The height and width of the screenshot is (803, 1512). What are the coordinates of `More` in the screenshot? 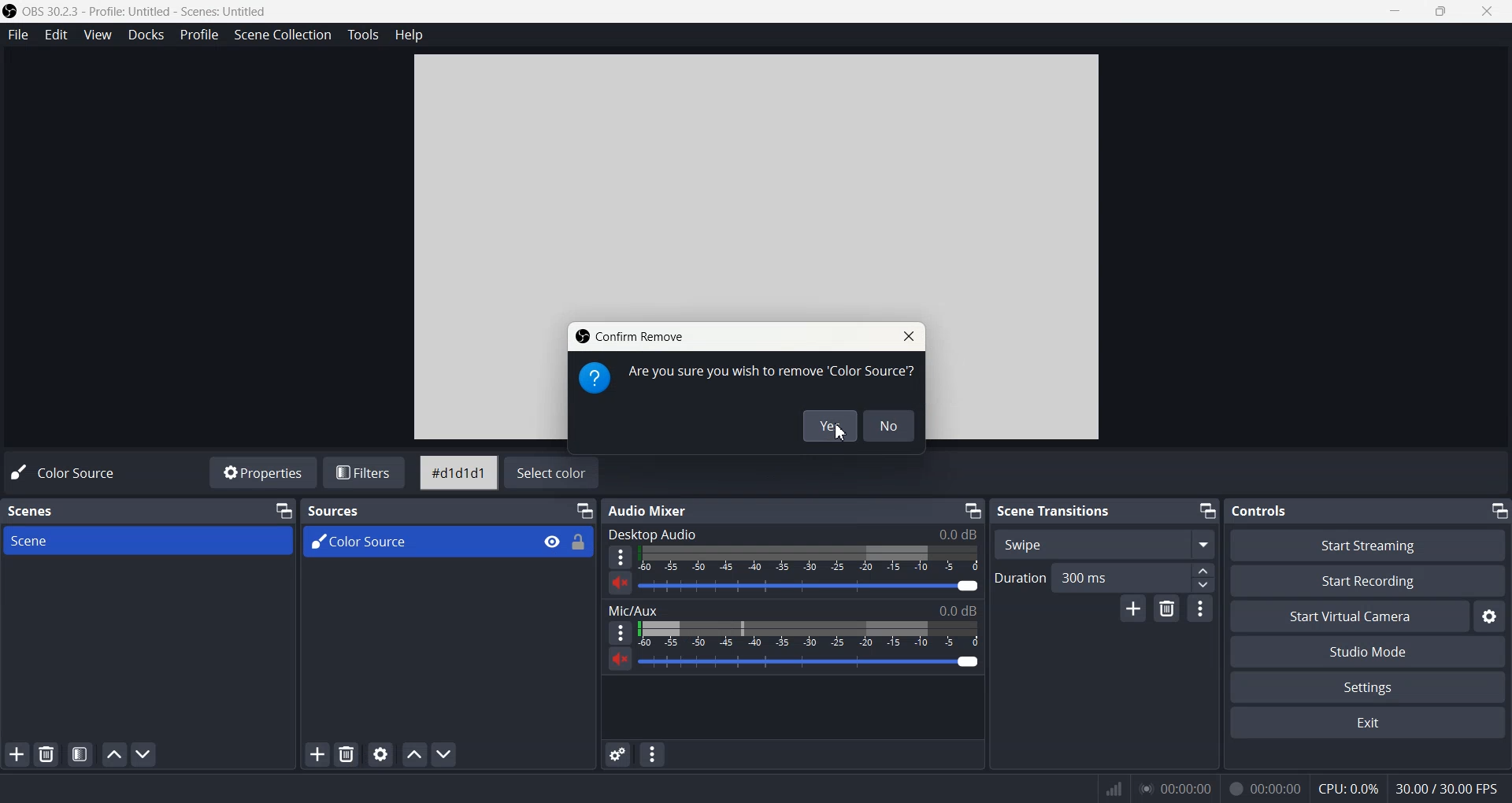 It's located at (621, 557).